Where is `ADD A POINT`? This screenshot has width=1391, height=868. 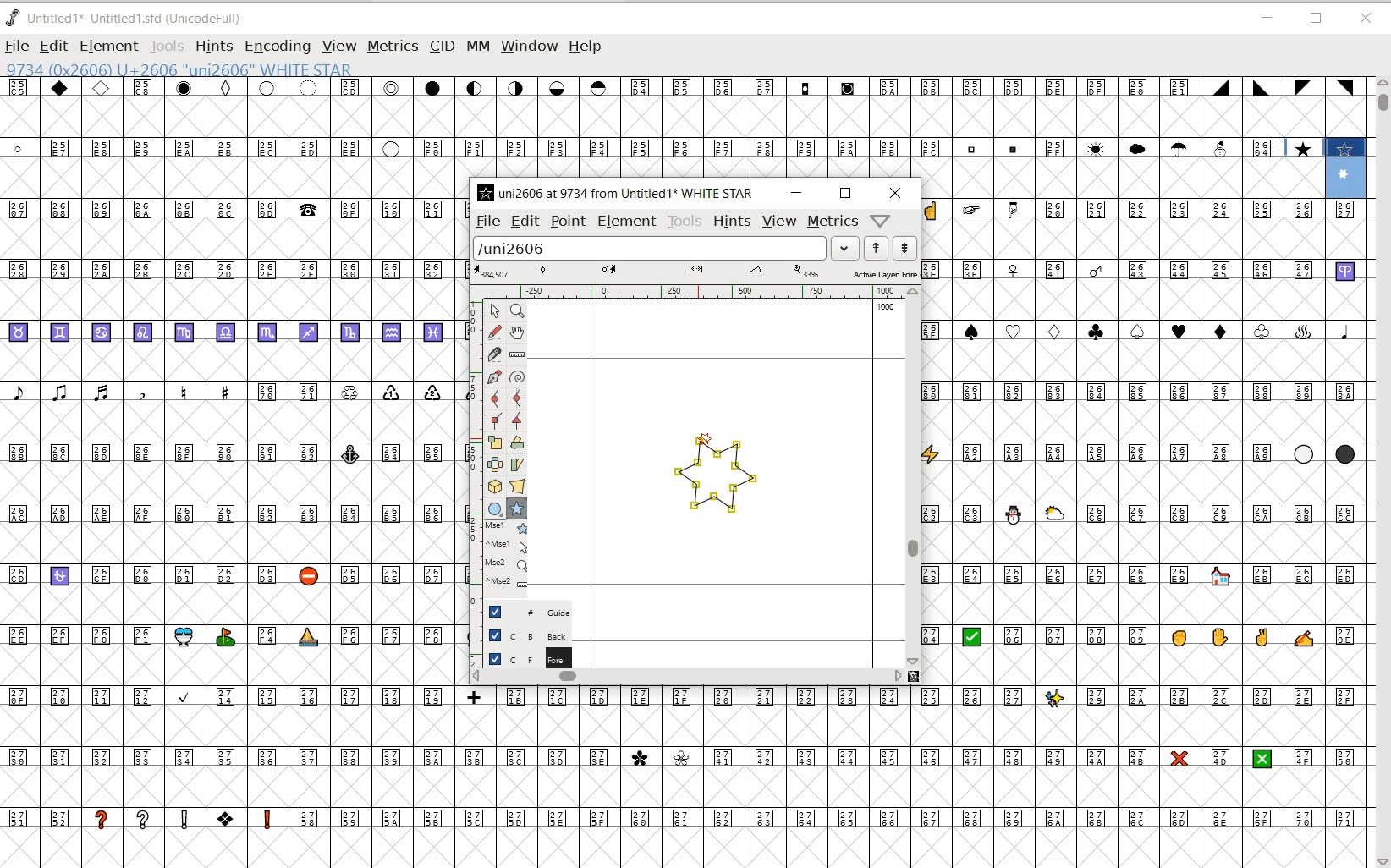
ADD A POINT is located at coordinates (496, 376).